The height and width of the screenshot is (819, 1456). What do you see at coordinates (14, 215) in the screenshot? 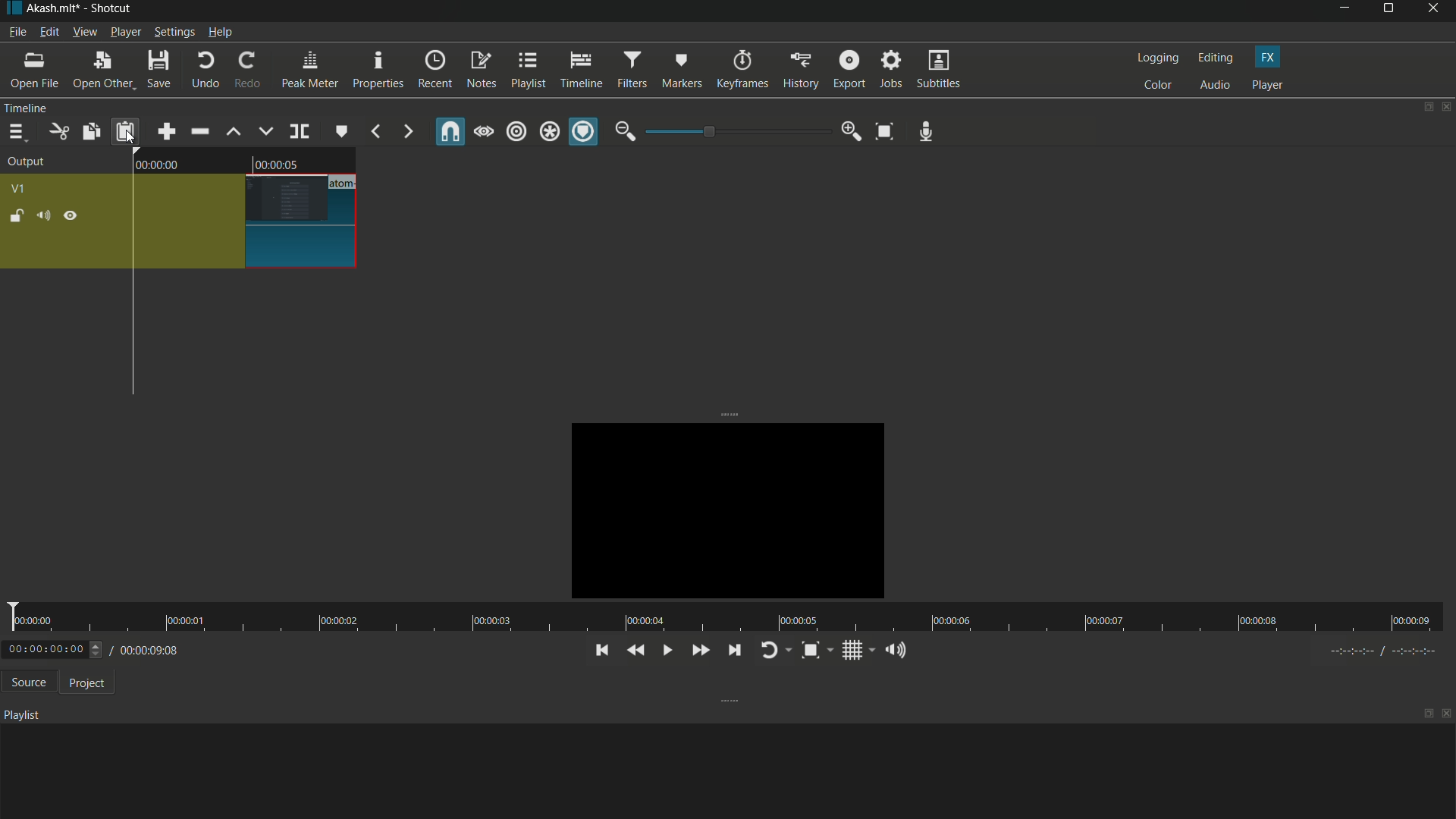
I see `lock track` at bounding box center [14, 215].